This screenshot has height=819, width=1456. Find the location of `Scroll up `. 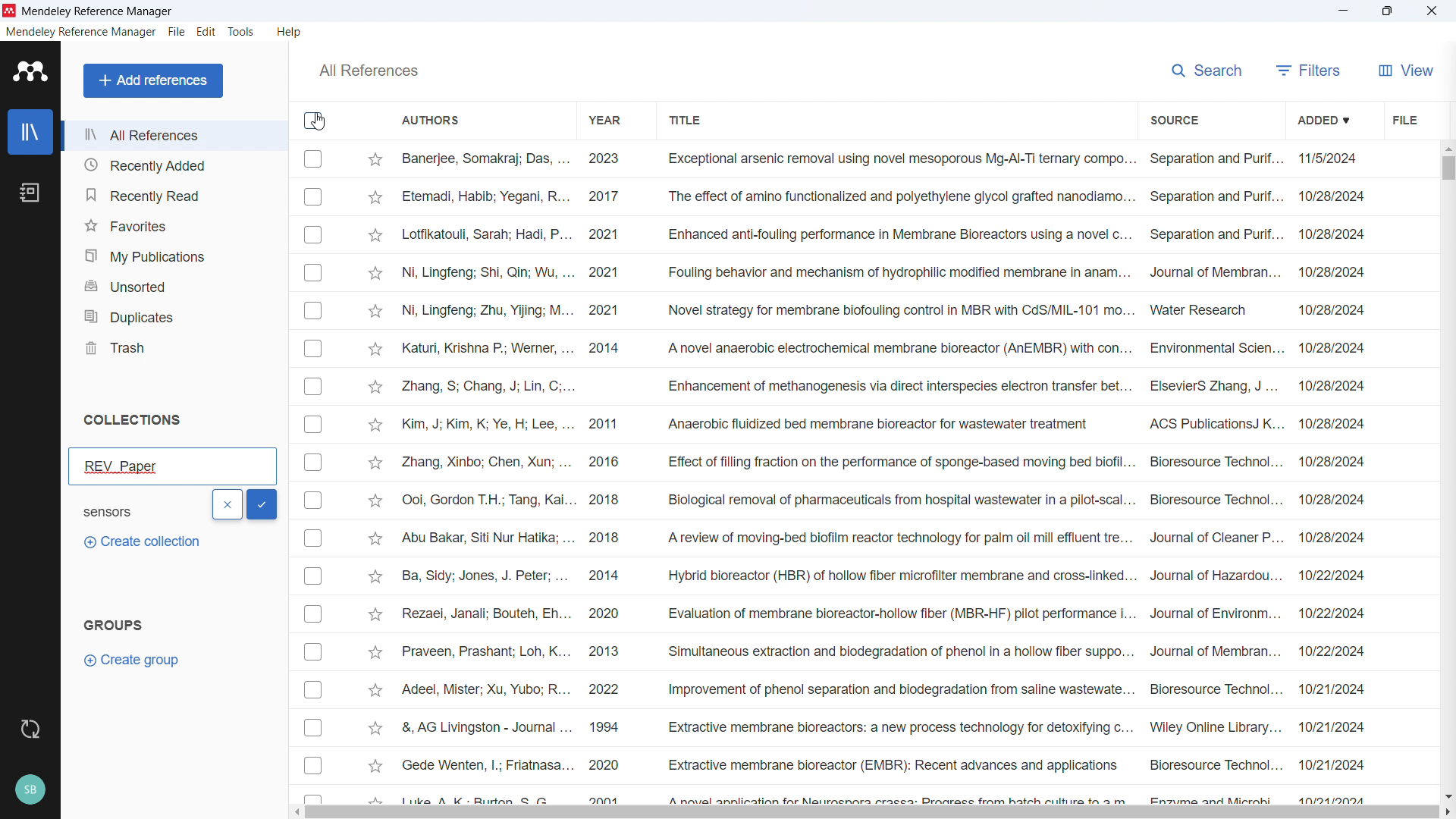

Scroll up  is located at coordinates (1447, 147).